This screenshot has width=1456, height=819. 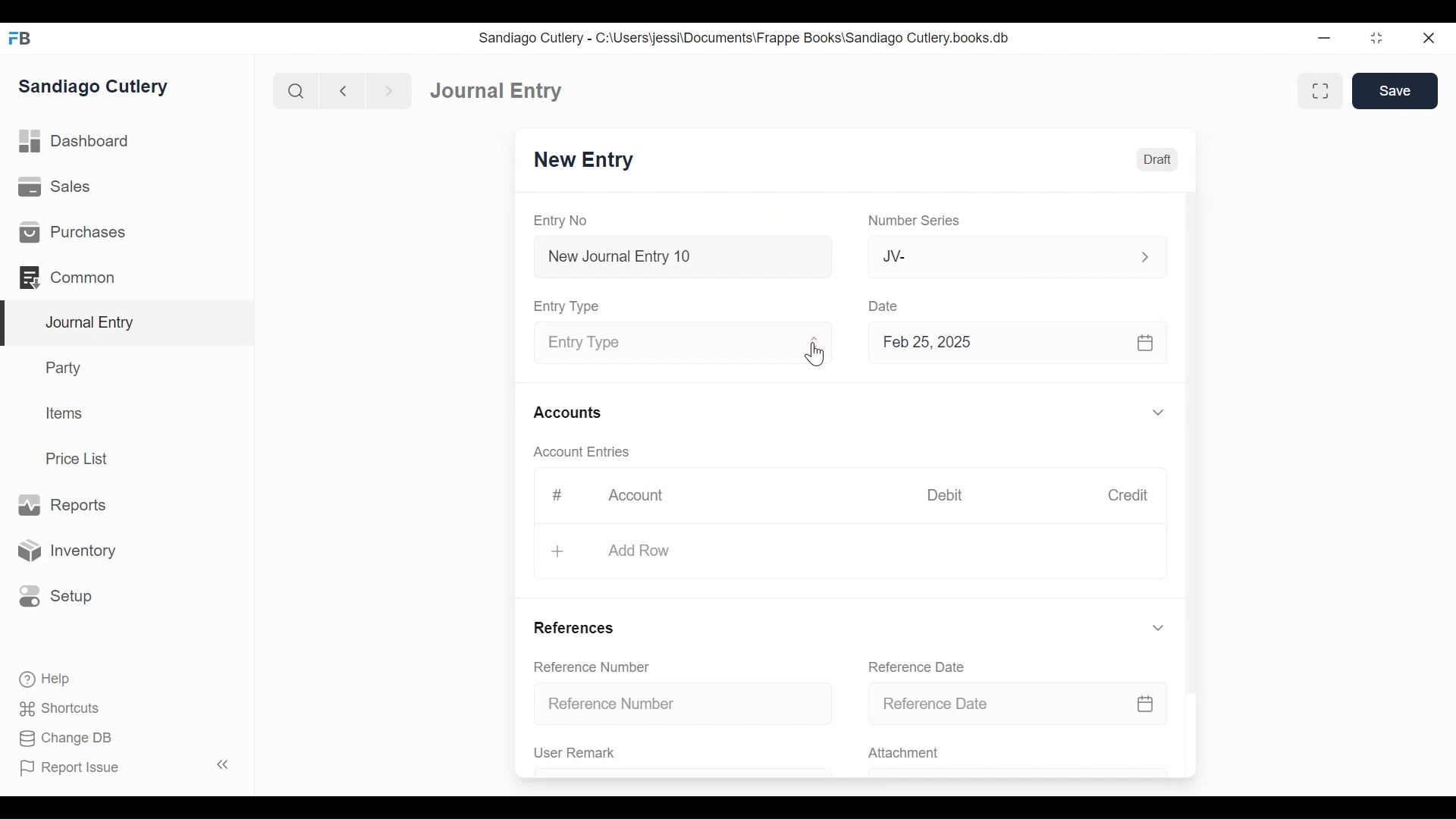 I want to click on Number Series, so click(x=917, y=221).